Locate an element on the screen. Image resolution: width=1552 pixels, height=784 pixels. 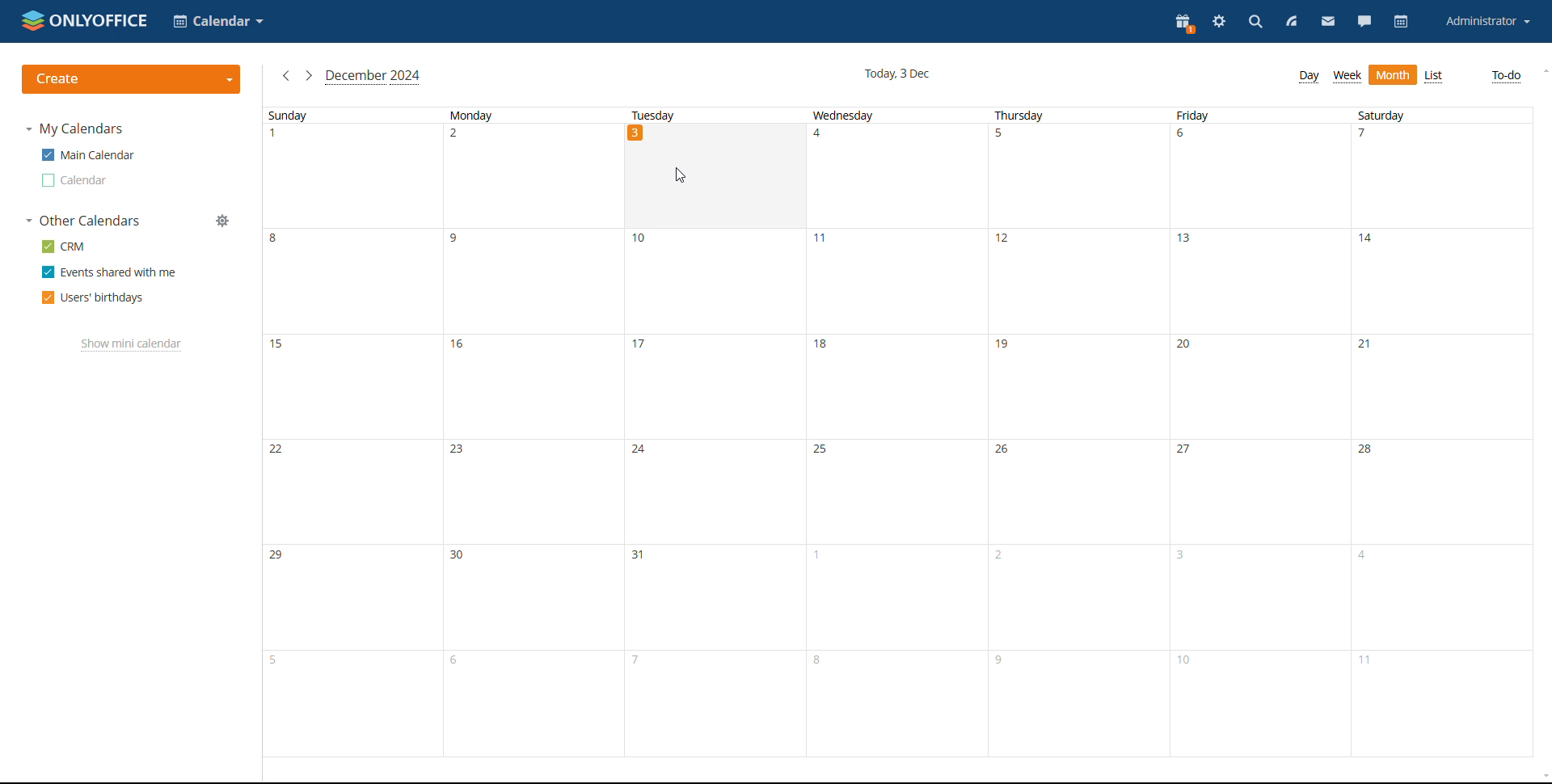
show mini calendar is located at coordinates (131, 346).